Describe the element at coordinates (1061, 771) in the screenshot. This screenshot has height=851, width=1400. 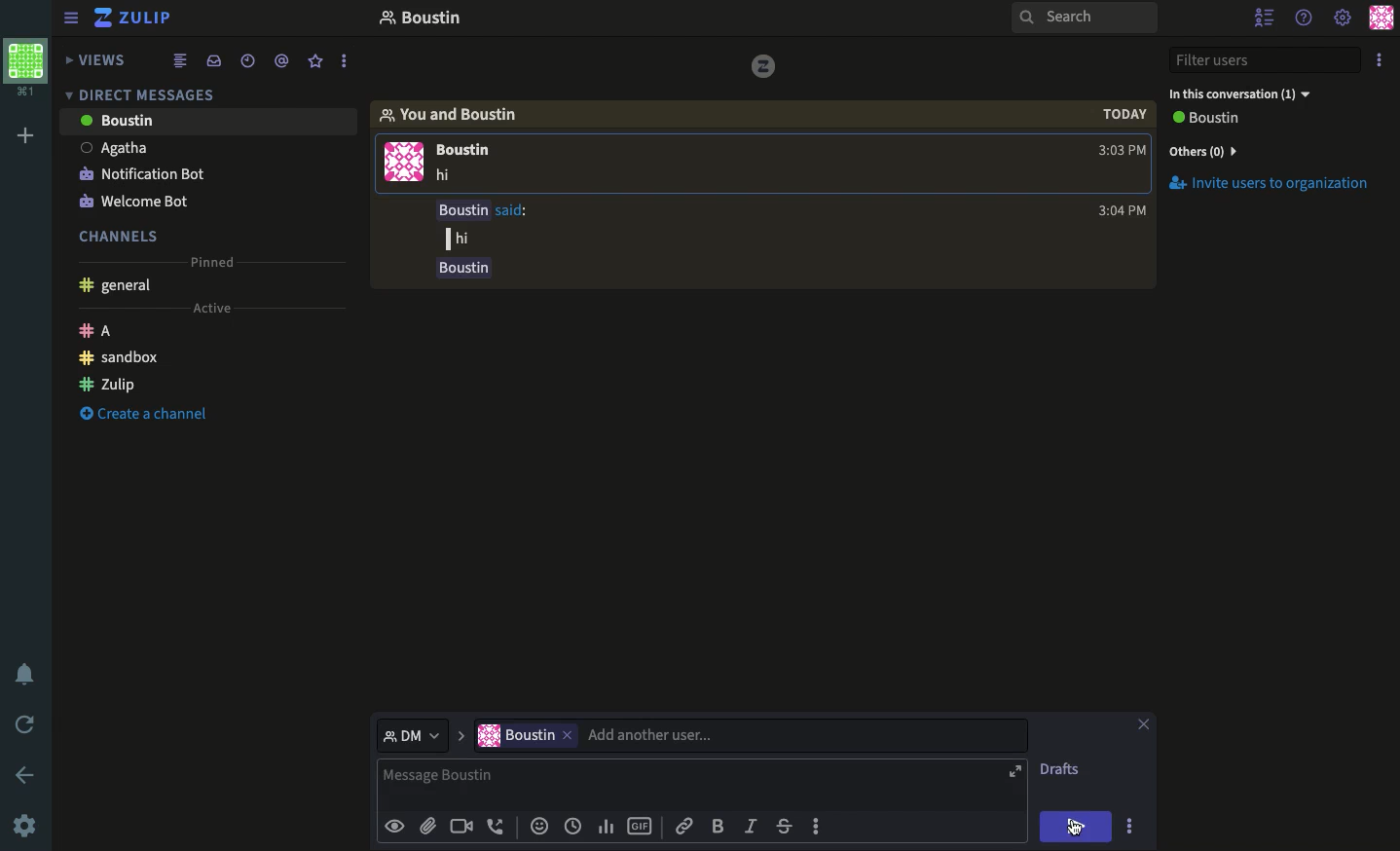
I see `drafts` at that location.